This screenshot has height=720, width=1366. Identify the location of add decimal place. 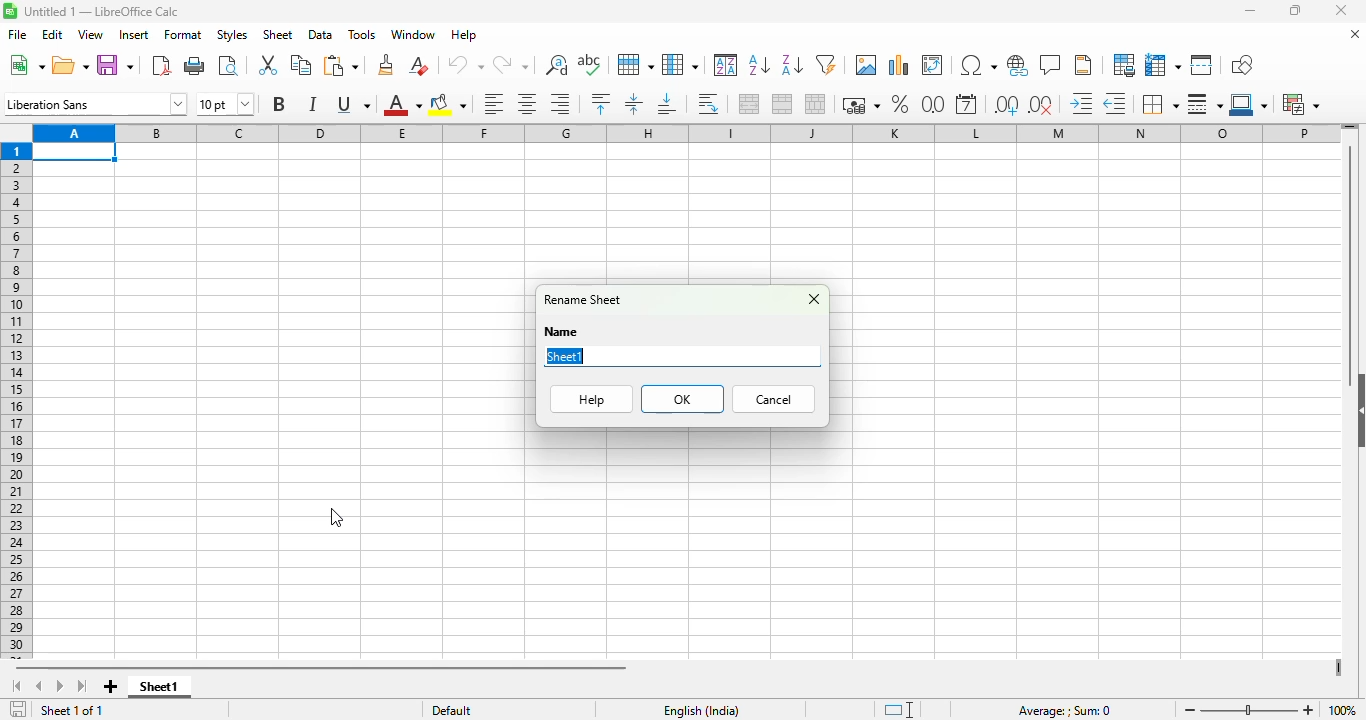
(1006, 105).